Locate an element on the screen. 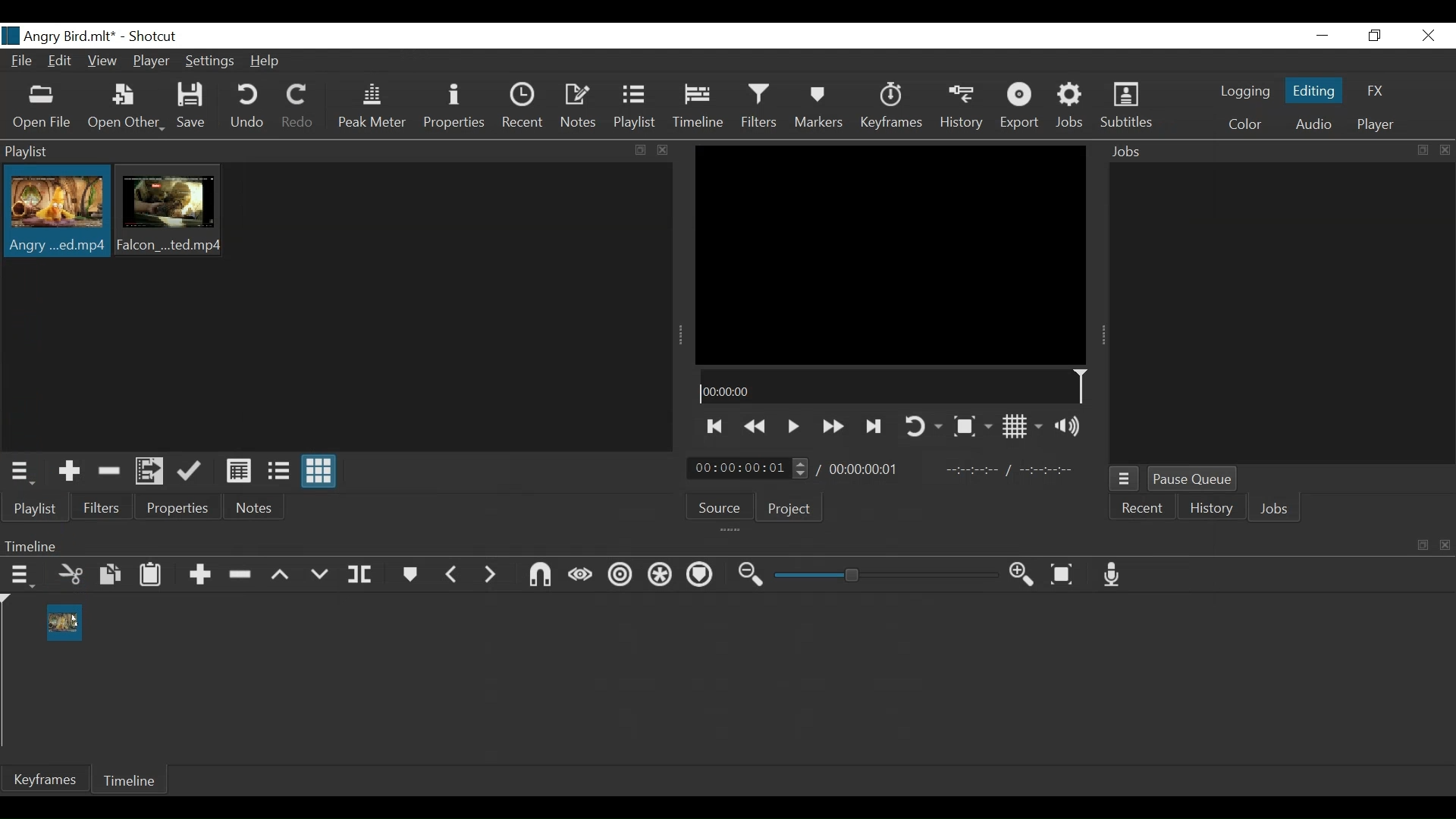  Total duration is located at coordinates (865, 469).